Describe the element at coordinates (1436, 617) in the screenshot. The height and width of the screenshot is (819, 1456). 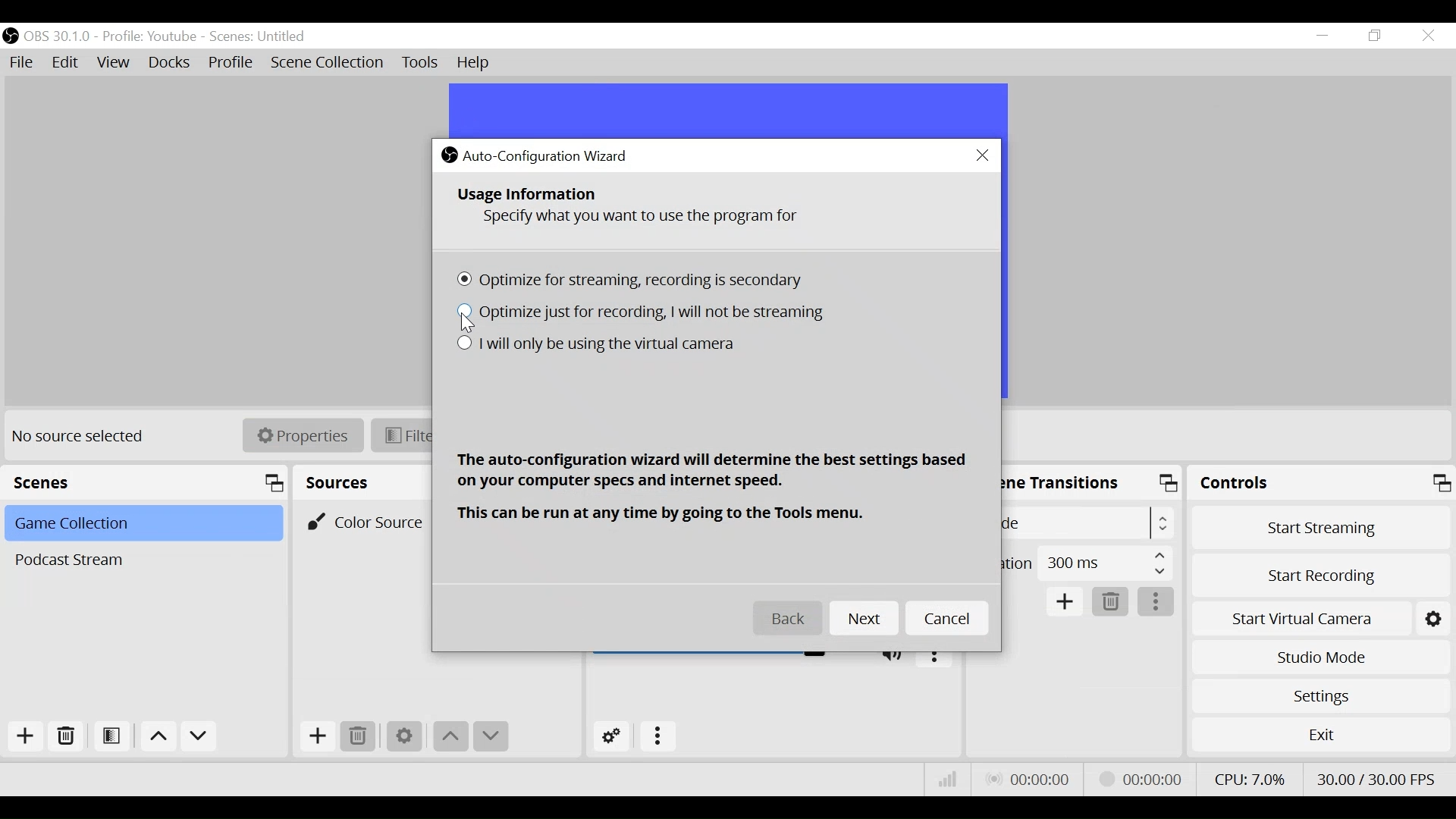
I see `settings` at that location.